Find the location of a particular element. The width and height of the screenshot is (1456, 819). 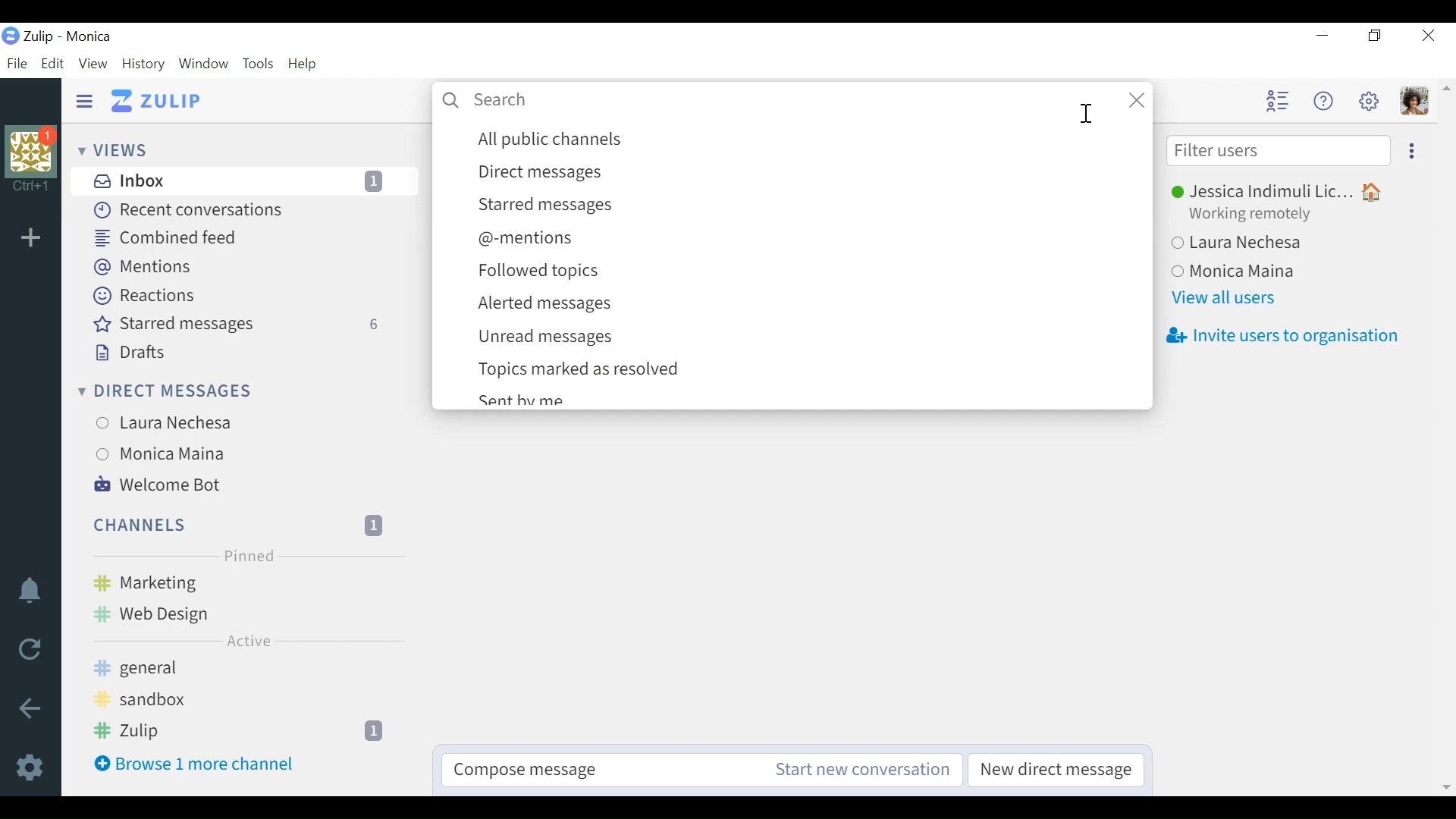

Active is located at coordinates (252, 643).